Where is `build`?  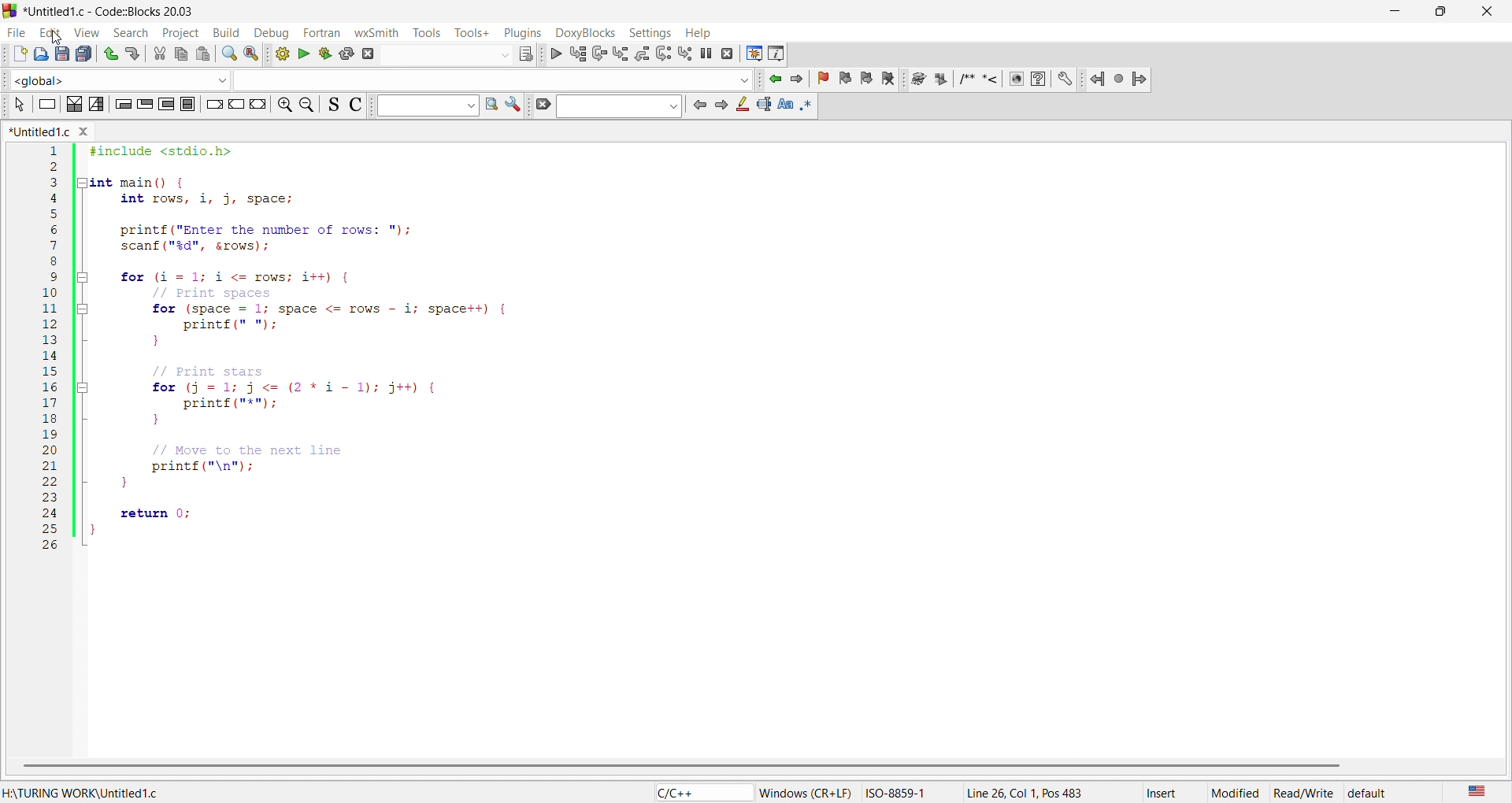 build is located at coordinates (280, 54).